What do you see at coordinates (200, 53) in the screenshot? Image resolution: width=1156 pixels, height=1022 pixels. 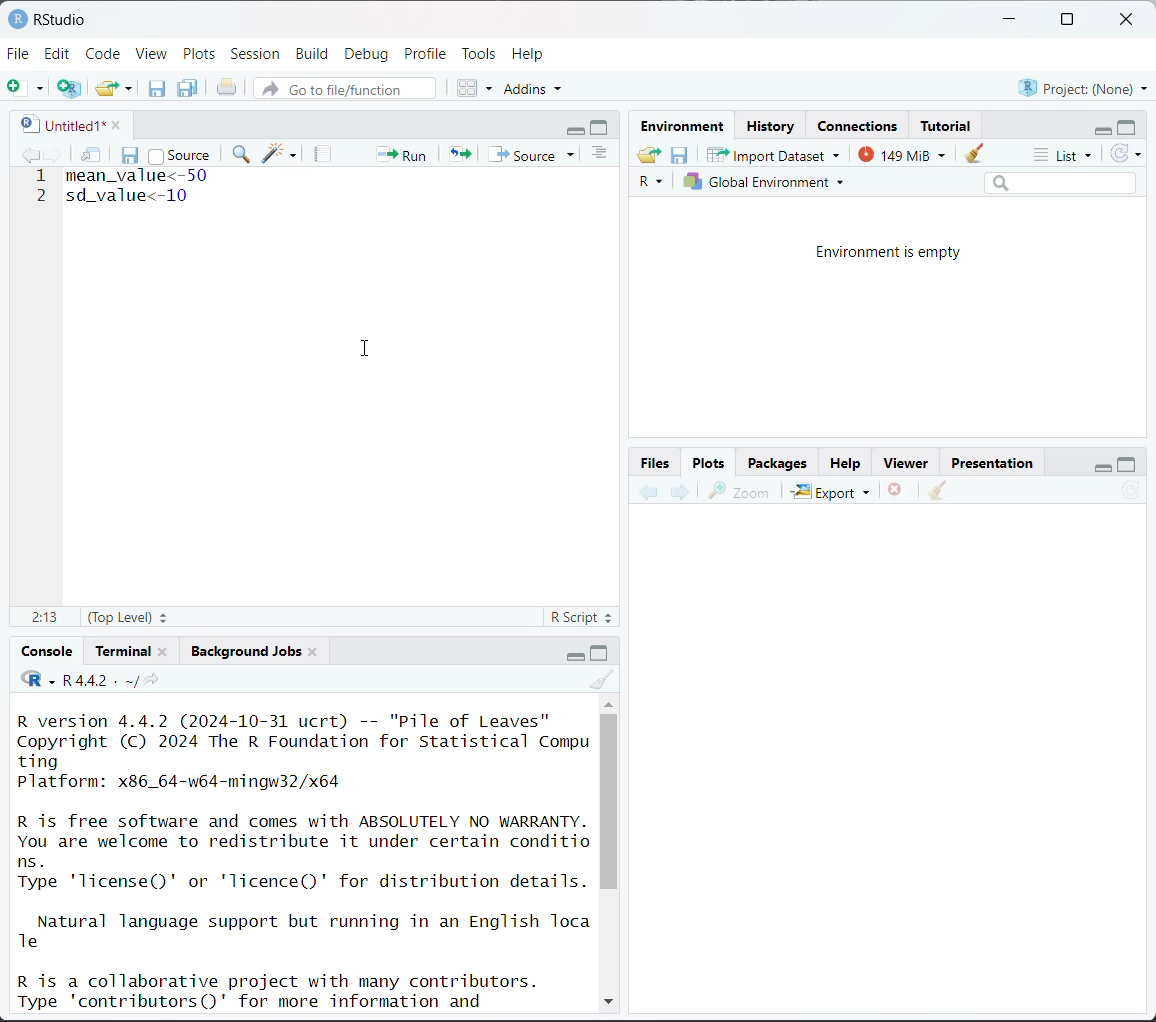 I see `Plots` at bounding box center [200, 53].